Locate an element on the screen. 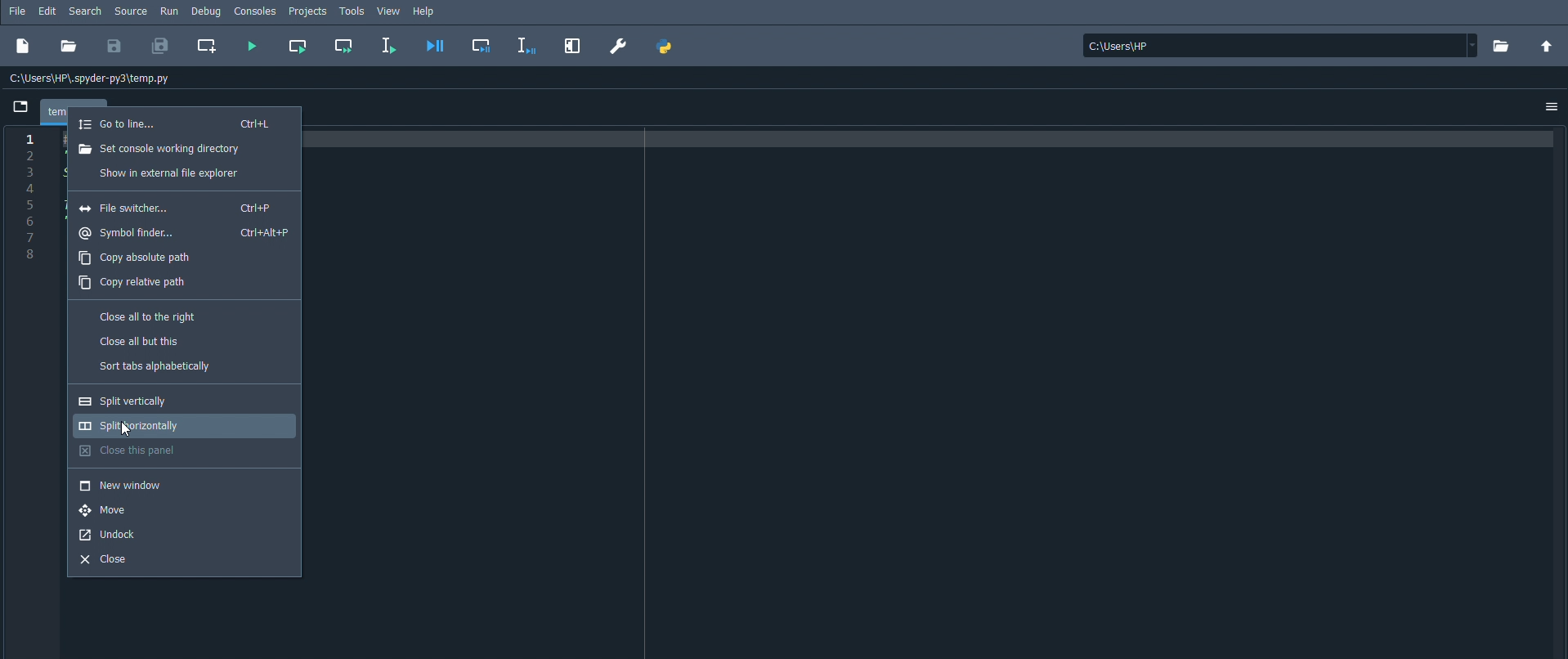  Change to working directory is located at coordinates (1544, 45).